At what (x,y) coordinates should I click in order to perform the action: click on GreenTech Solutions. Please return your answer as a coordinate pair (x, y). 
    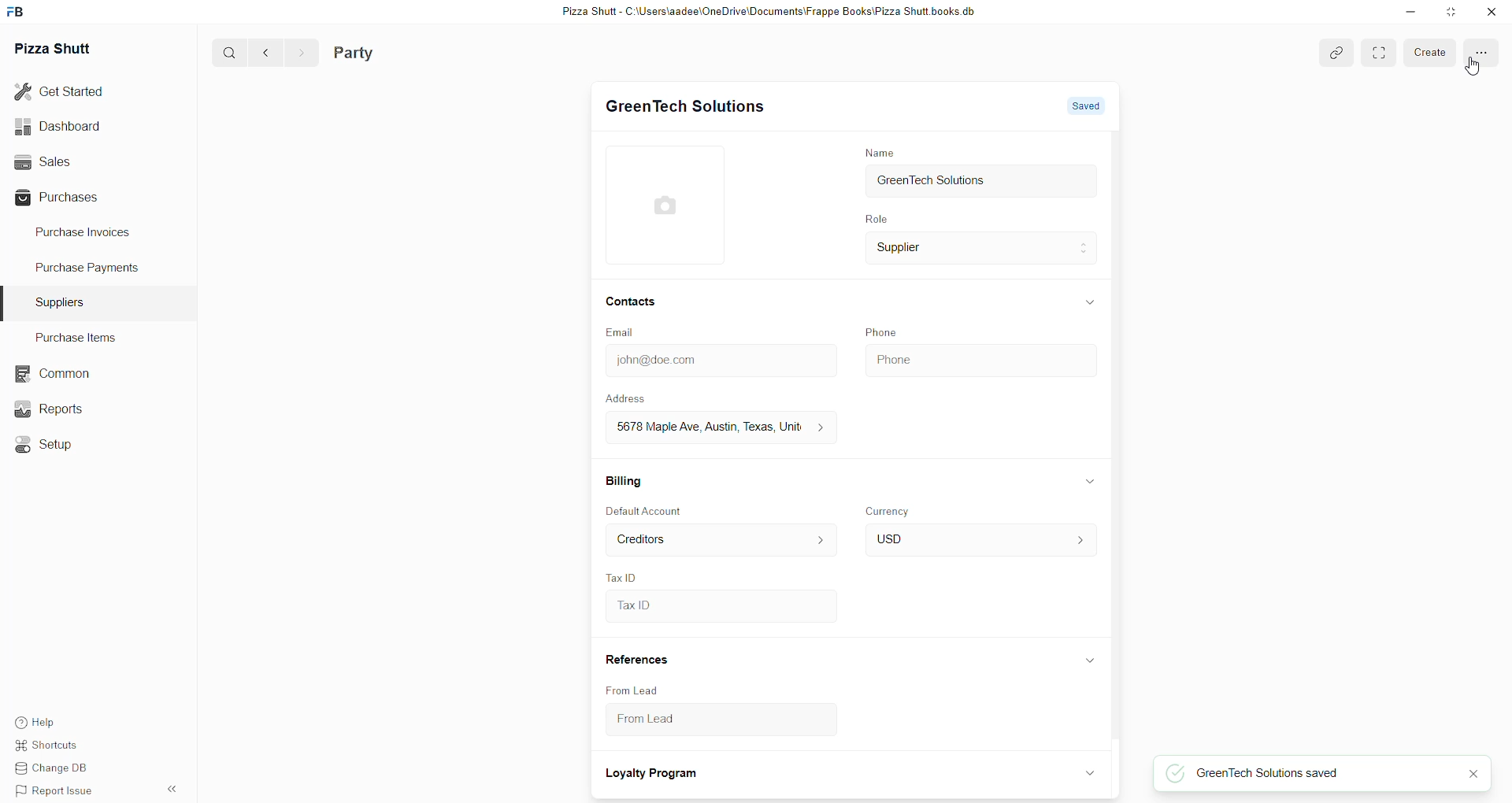
    Looking at the image, I should click on (981, 183).